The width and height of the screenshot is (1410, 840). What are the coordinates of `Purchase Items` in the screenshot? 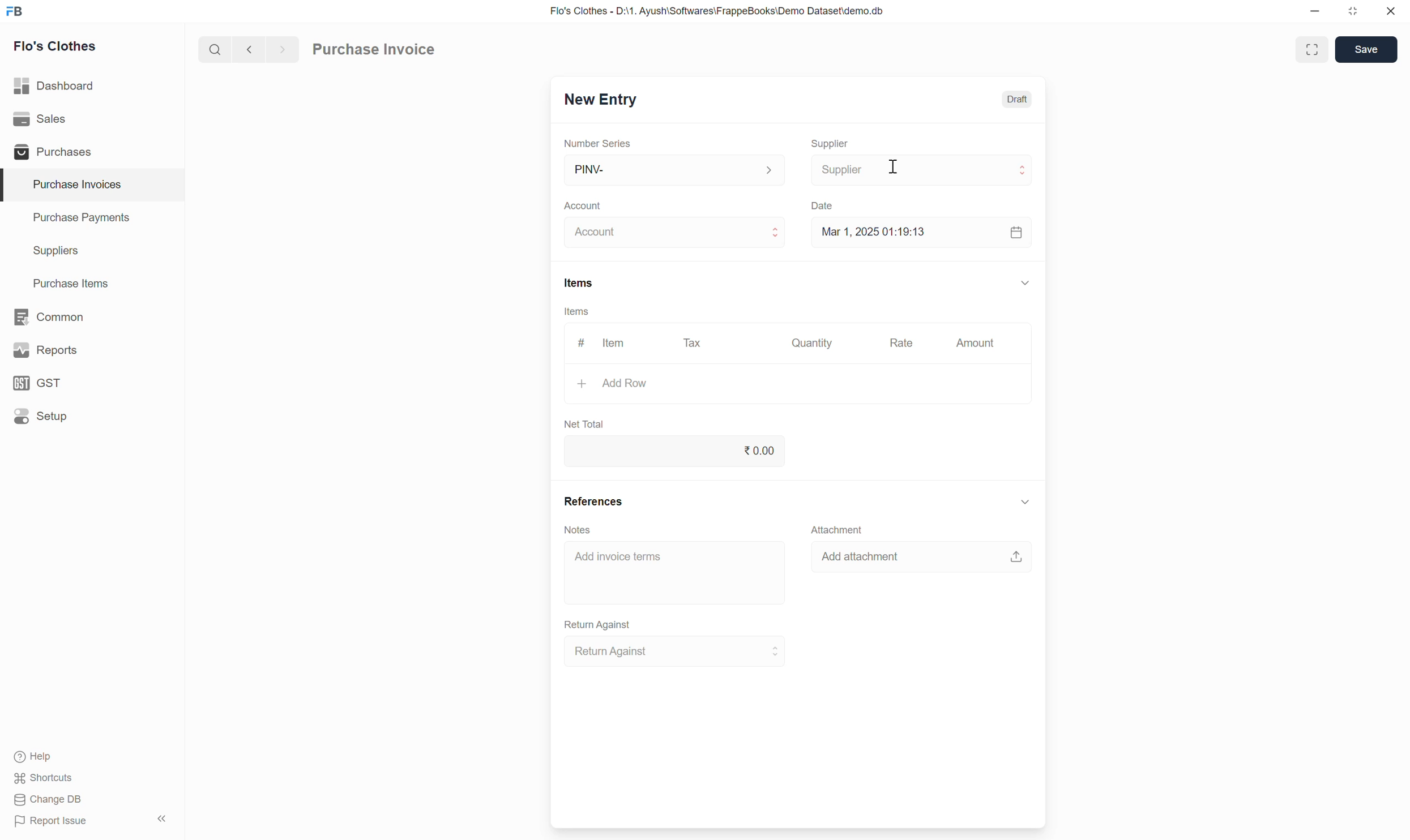 It's located at (65, 281).